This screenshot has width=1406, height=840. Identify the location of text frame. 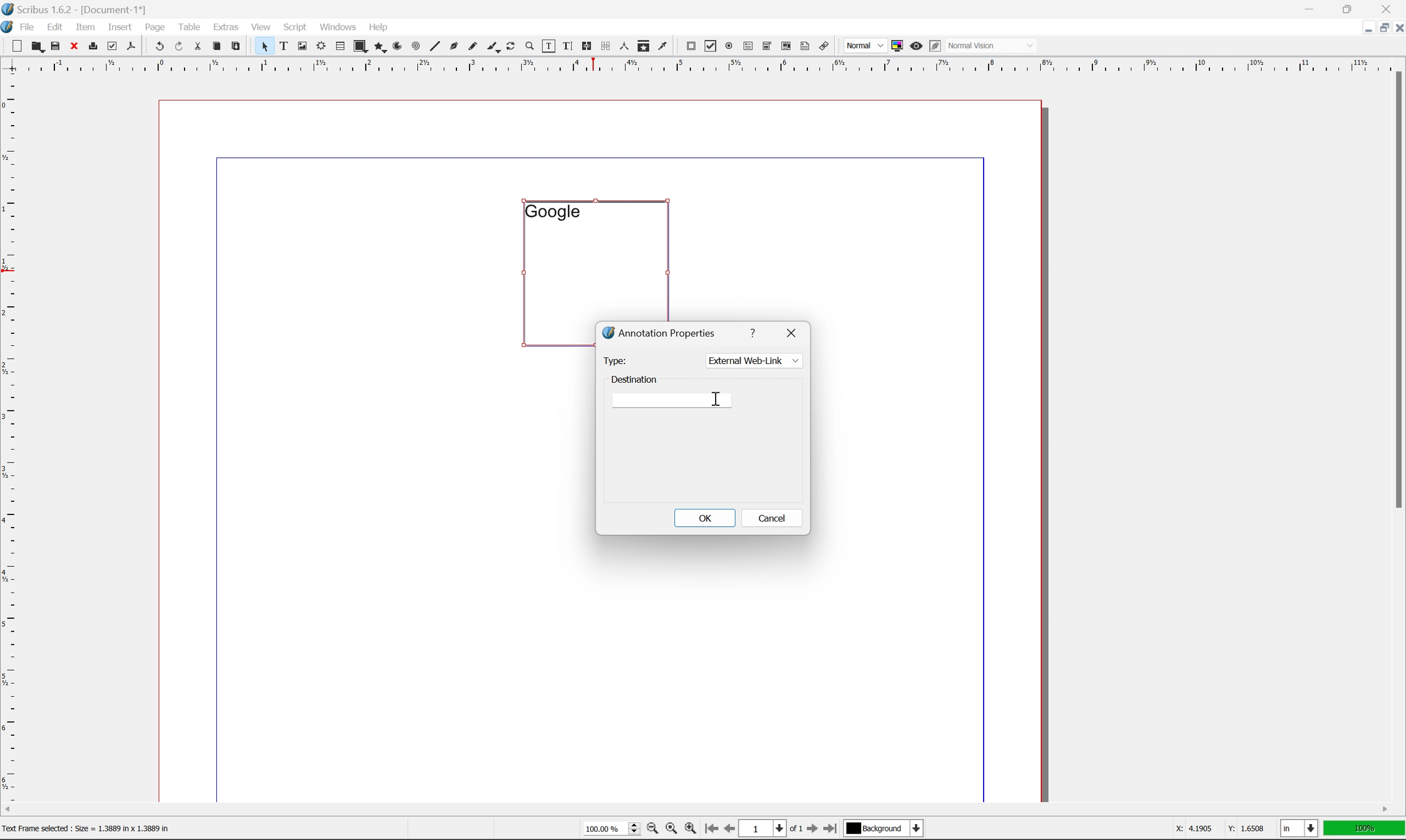
(284, 45).